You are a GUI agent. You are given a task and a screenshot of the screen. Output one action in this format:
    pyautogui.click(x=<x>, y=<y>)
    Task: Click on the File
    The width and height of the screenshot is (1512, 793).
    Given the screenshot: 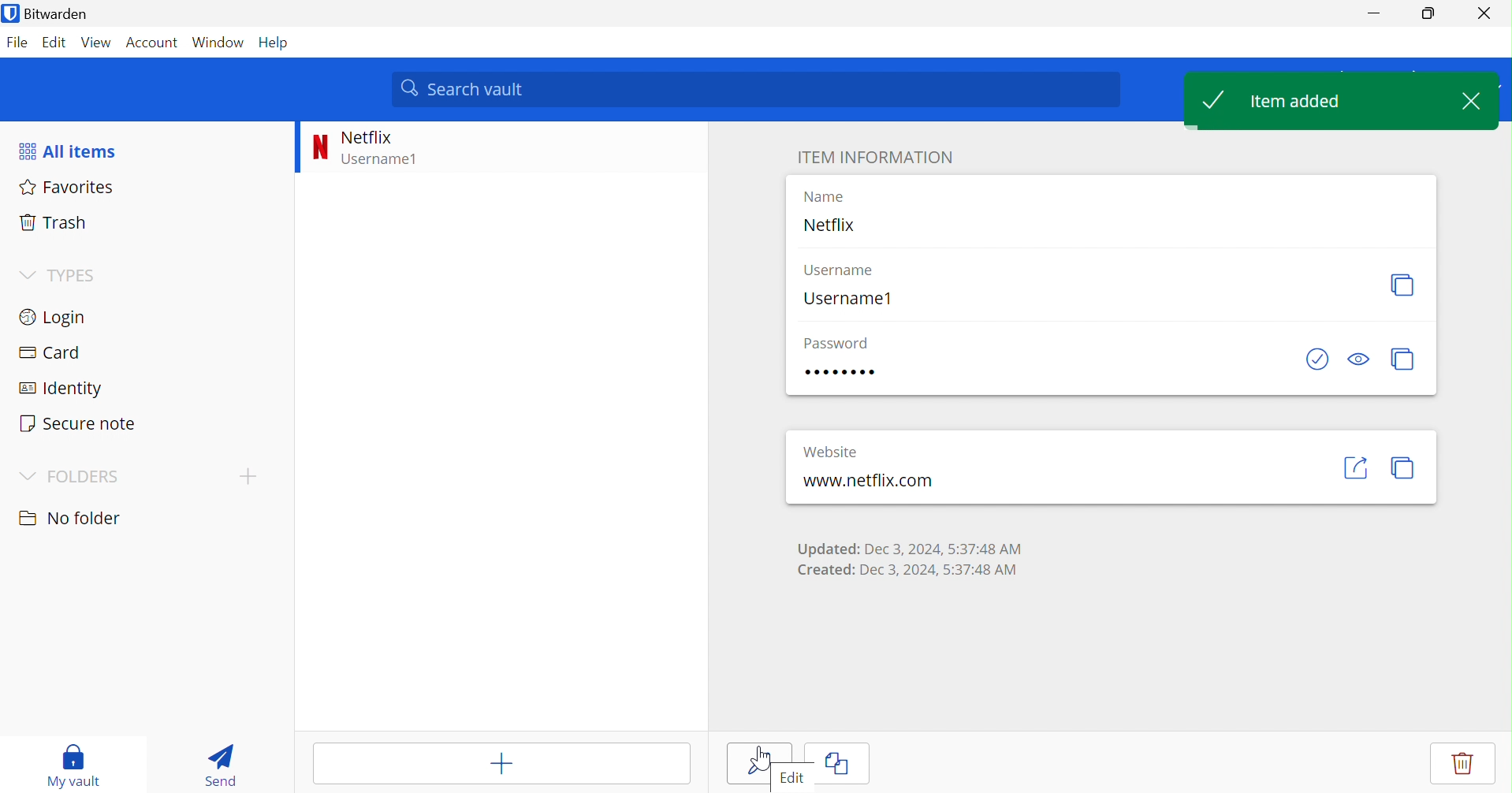 What is the action you would take?
    pyautogui.click(x=18, y=43)
    